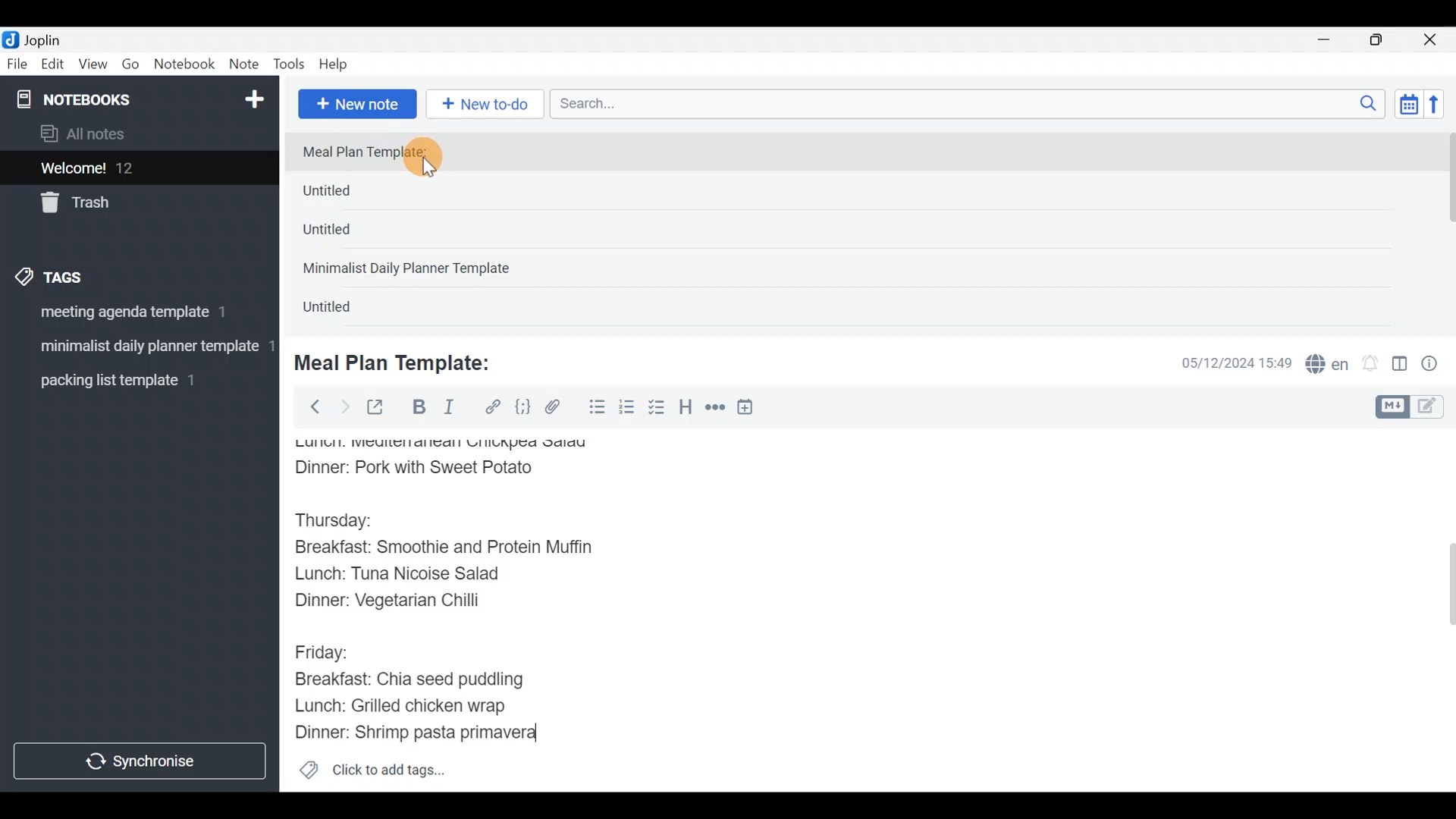  What do you see at coordinates (444, 551) in the screenshot?
I see `Breakfast: Smoothie and Protein Muffin` at bounding box center [444, 551].